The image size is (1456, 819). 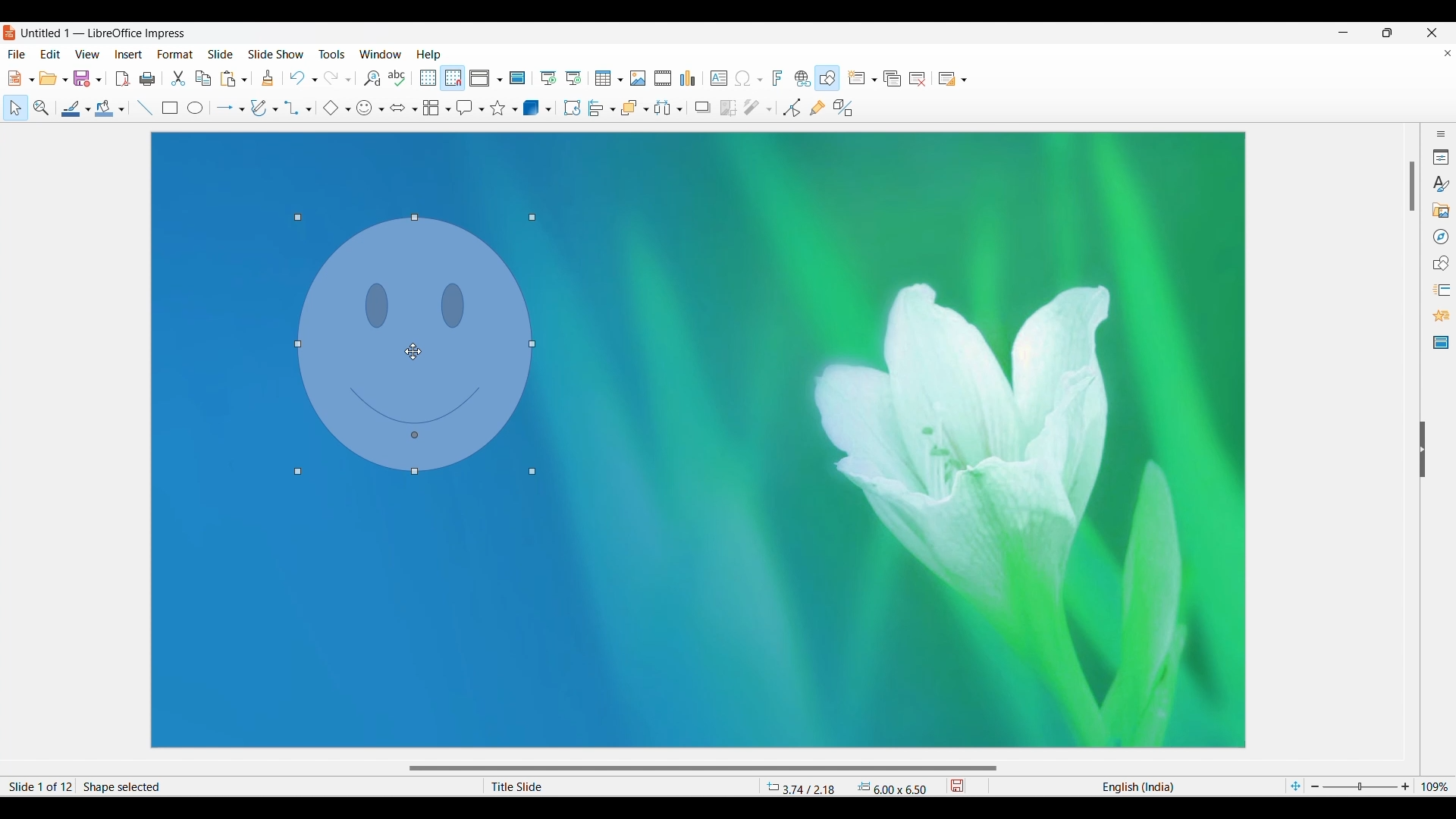 I want to click on Copy, so click(x=203, y=79).